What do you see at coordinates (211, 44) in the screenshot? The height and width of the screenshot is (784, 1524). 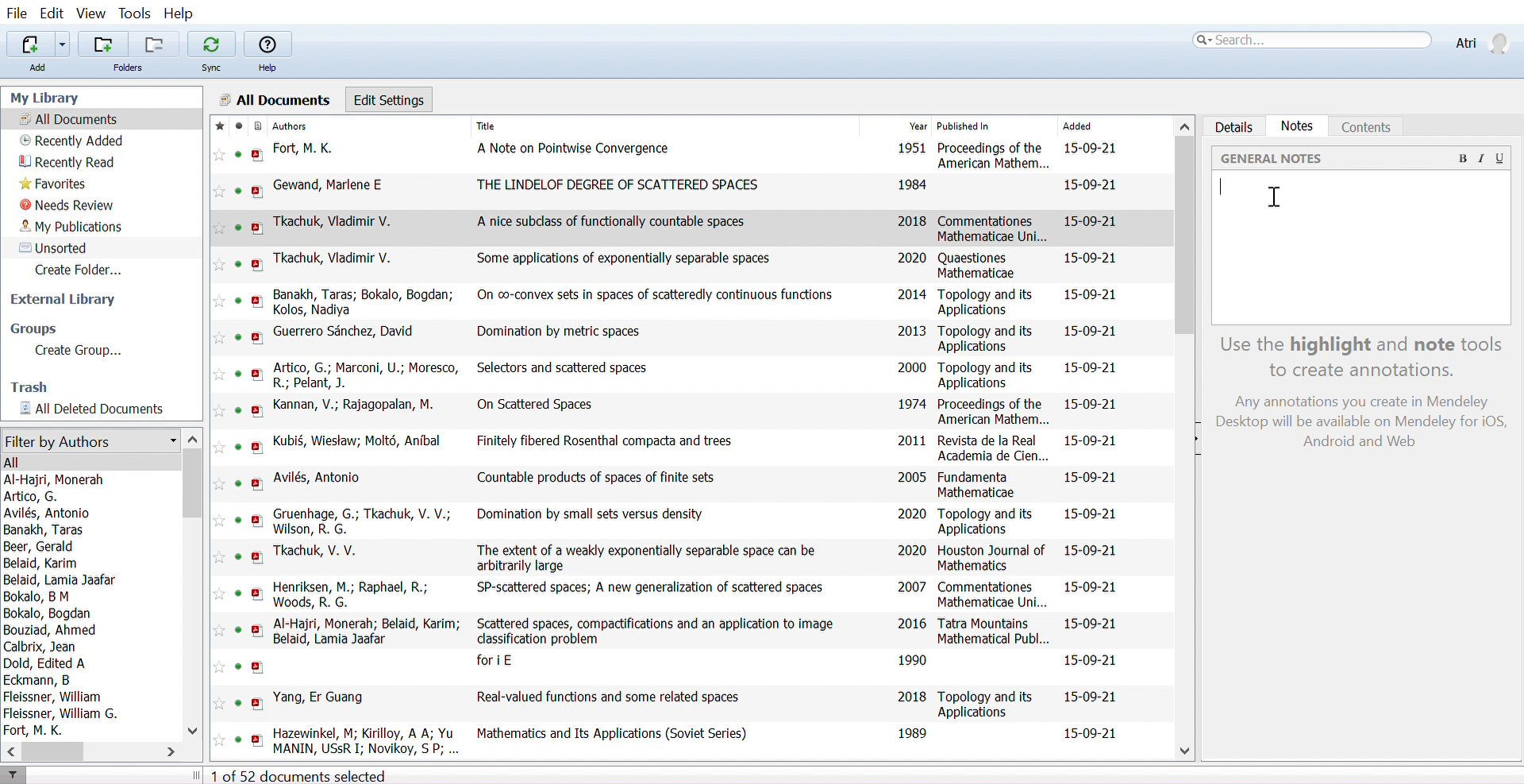 I see `Sync` at bounding box center [211, 44].